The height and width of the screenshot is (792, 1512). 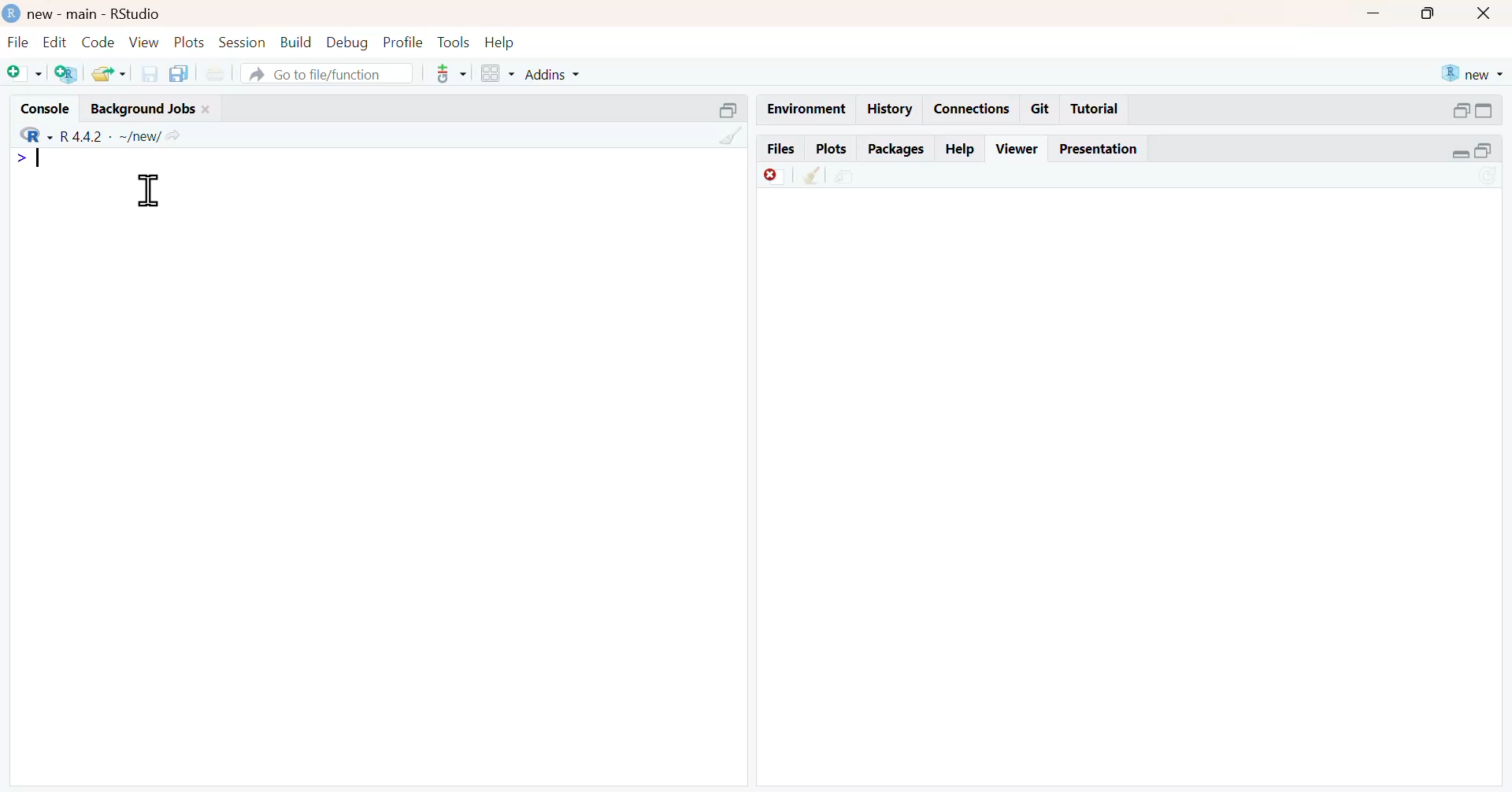 I want to click on history, so click(x=888, y=109).